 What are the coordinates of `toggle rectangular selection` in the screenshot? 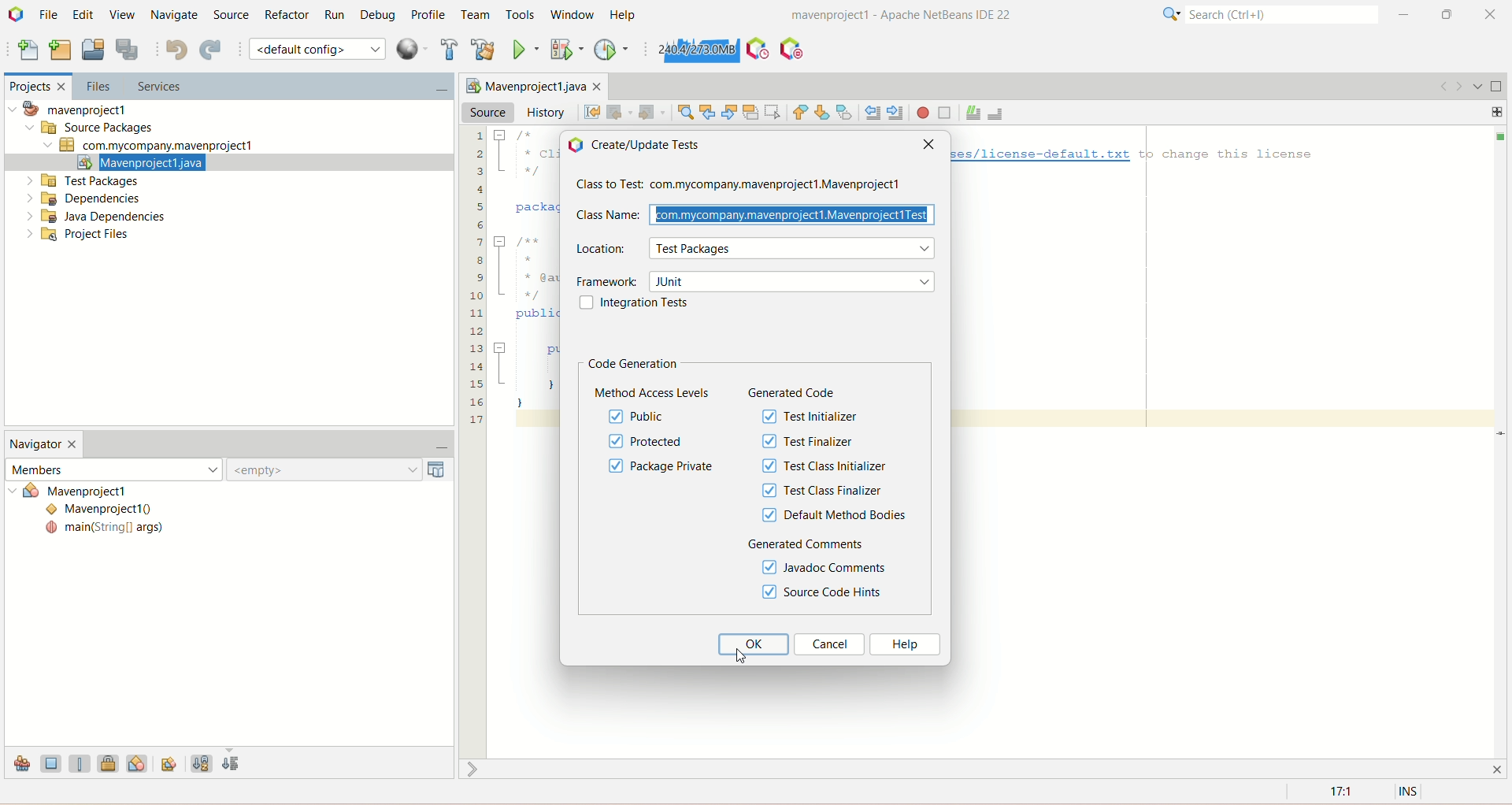 It's located at (774, 110).